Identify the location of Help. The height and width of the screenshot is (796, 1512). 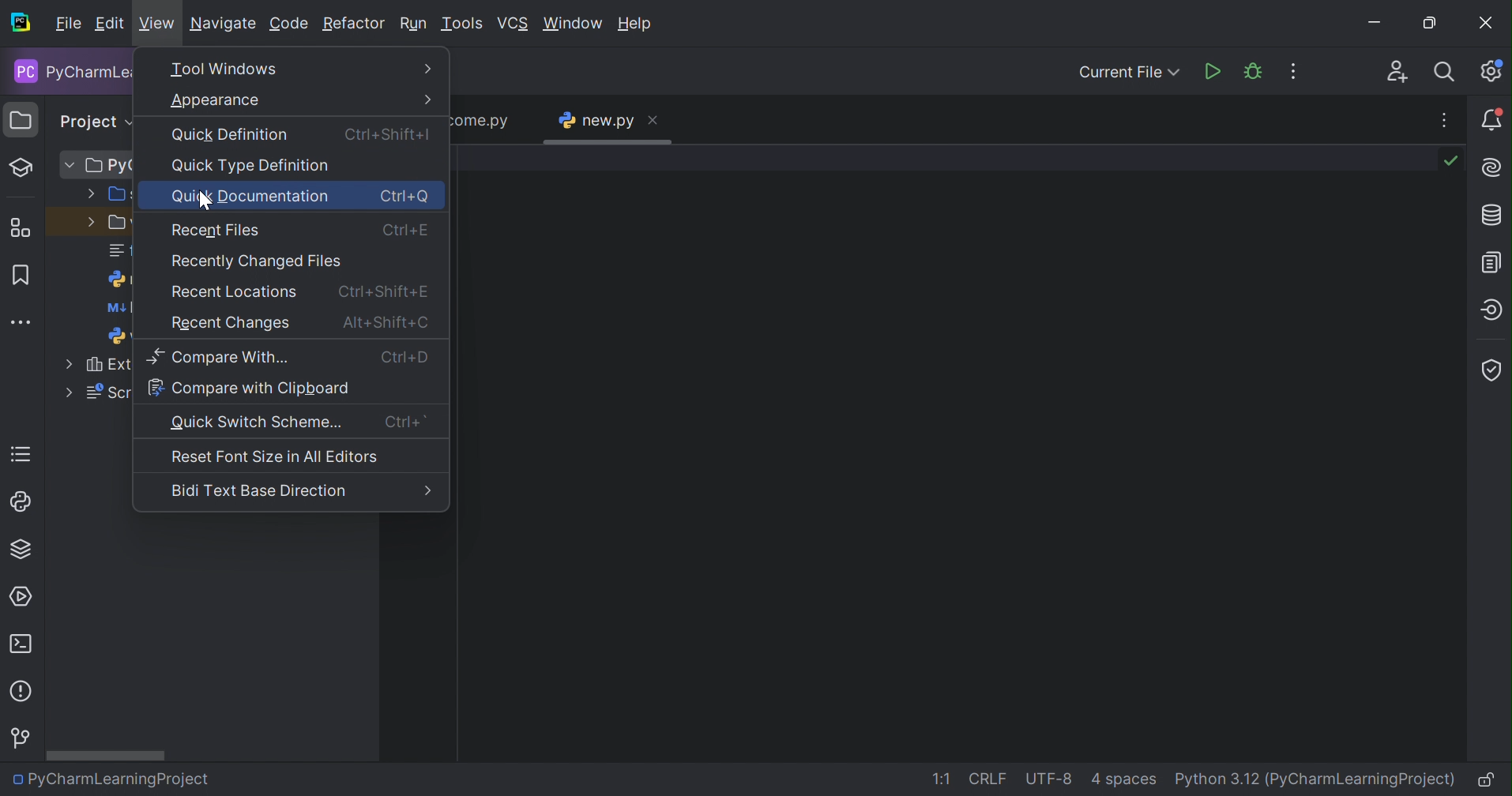
(638, 24).